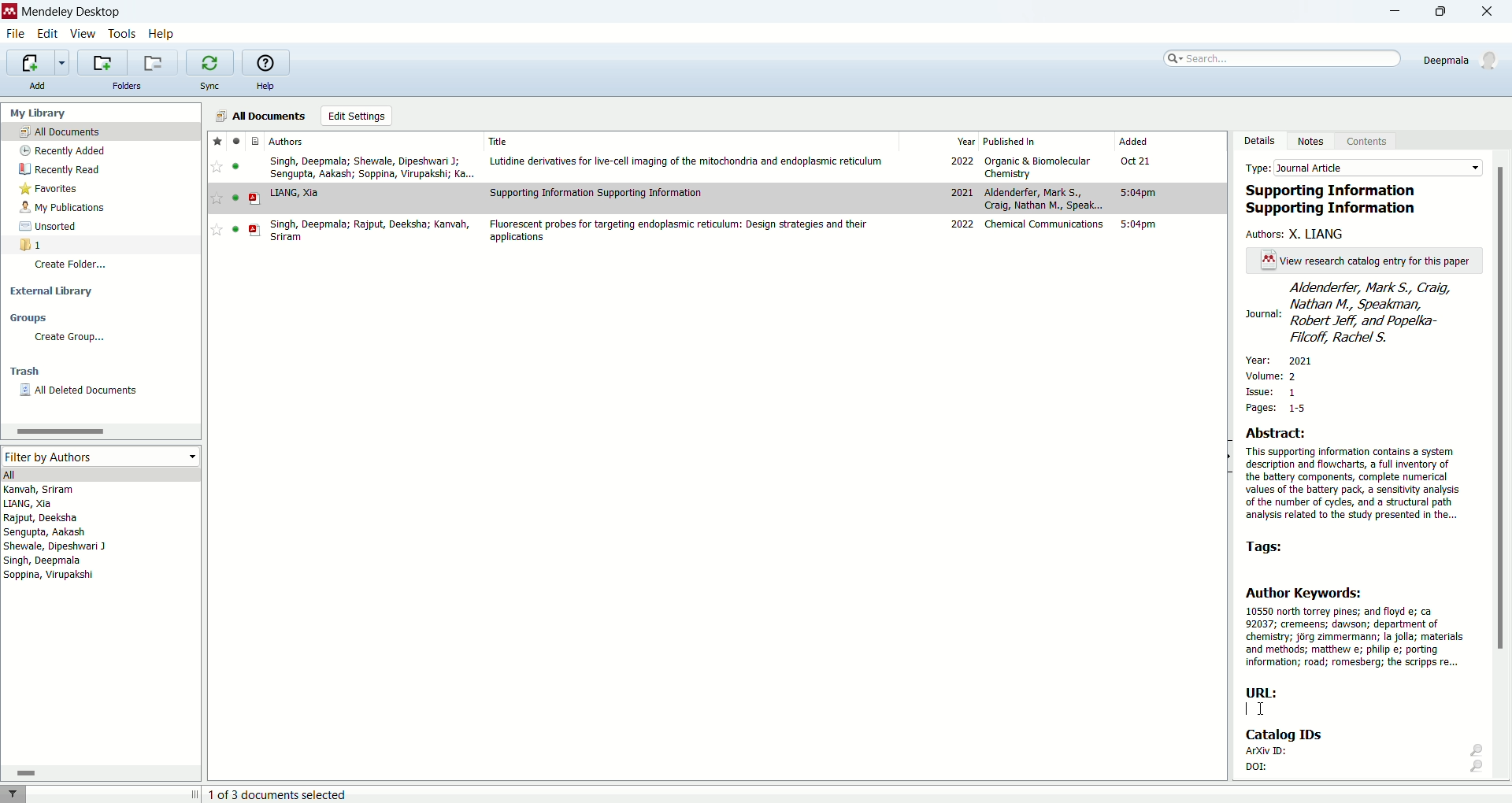  Describe the element at coordinates (235, 229) in the screenshot. I see `unread` at that location.